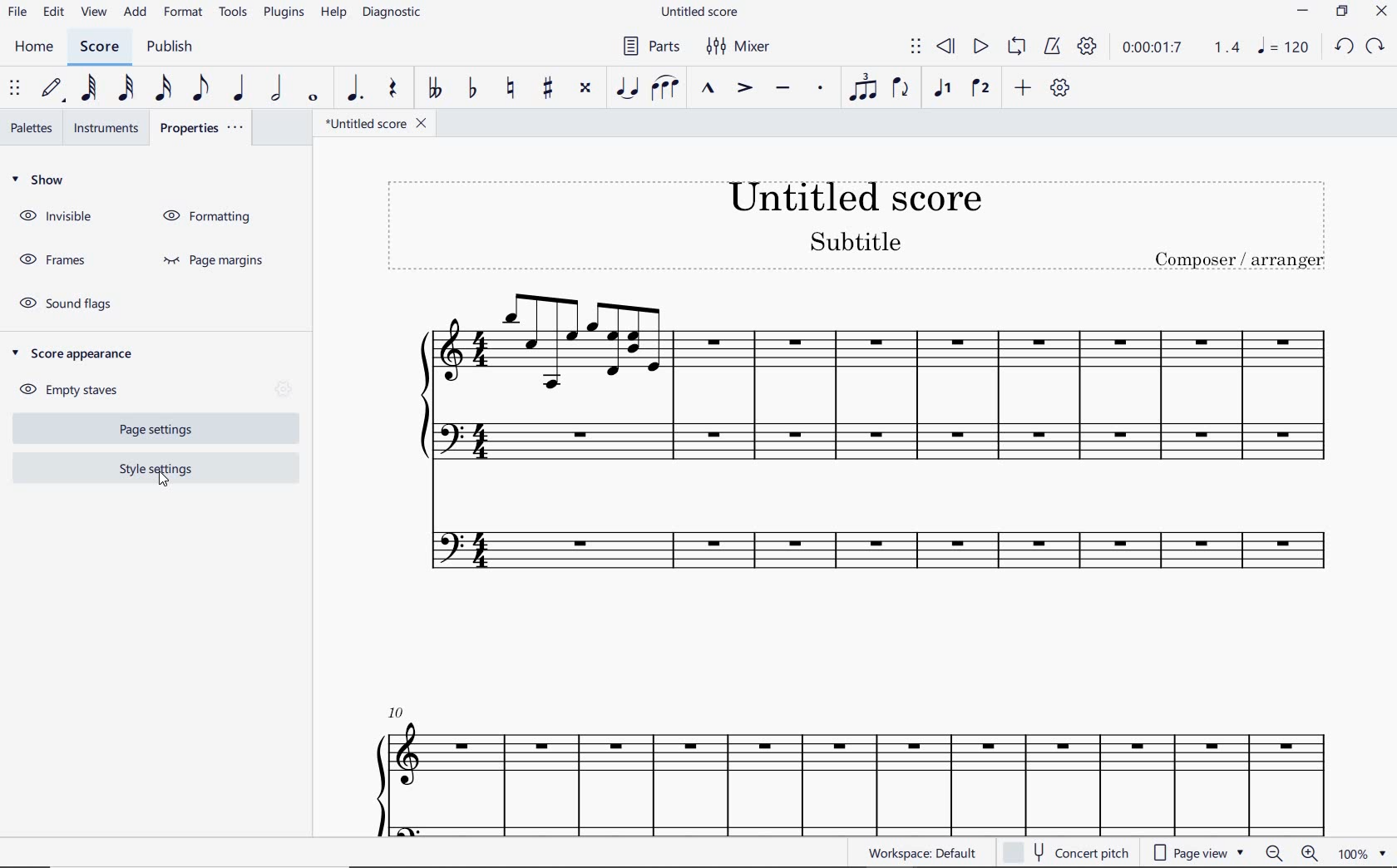 This screenshot has height=868, width=1397. Describe the element at coordinates (1178, 47) in the screenshot. I see `PLAY TIME` at that location.